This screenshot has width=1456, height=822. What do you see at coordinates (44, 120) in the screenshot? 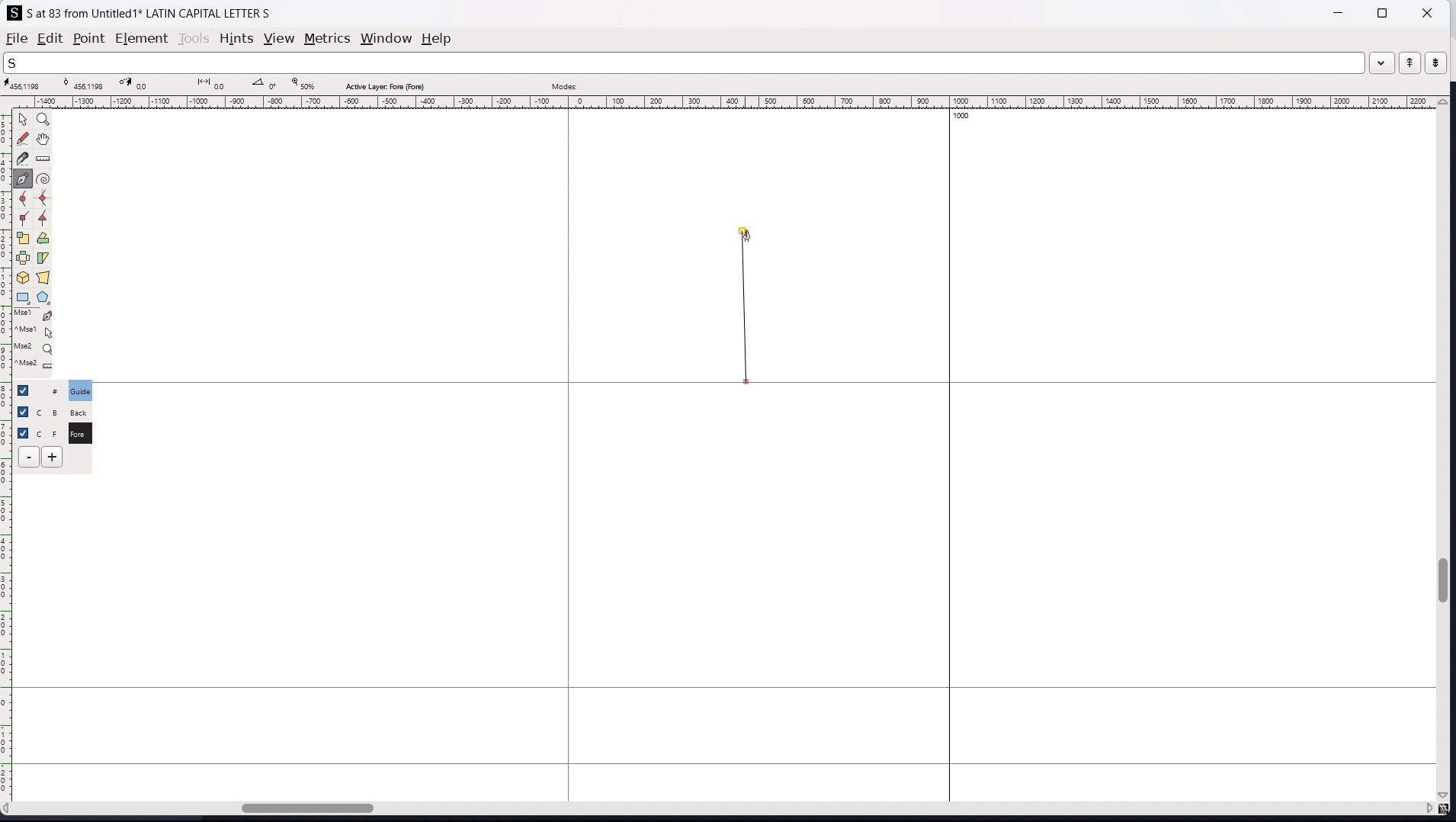
I see `magnify` at bounding box center [44, 120].